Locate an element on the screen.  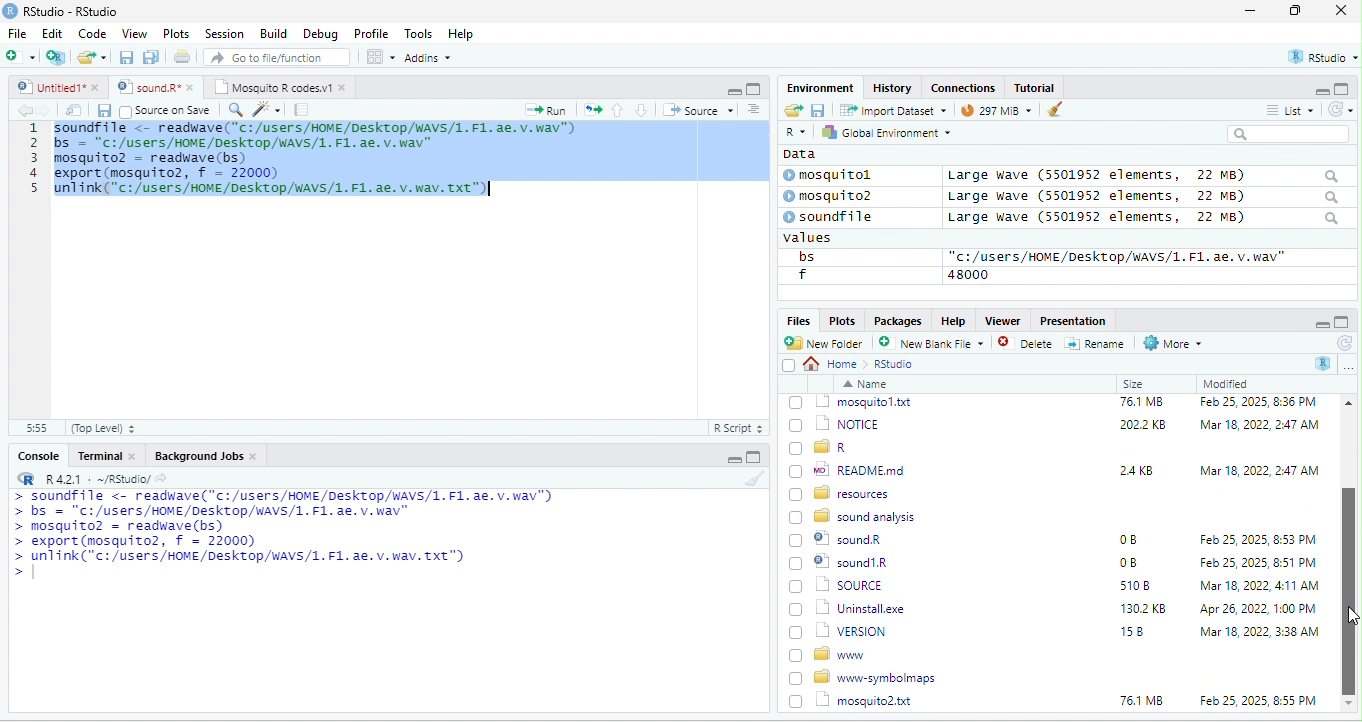
Delete is located at coordinates (1028, 344).